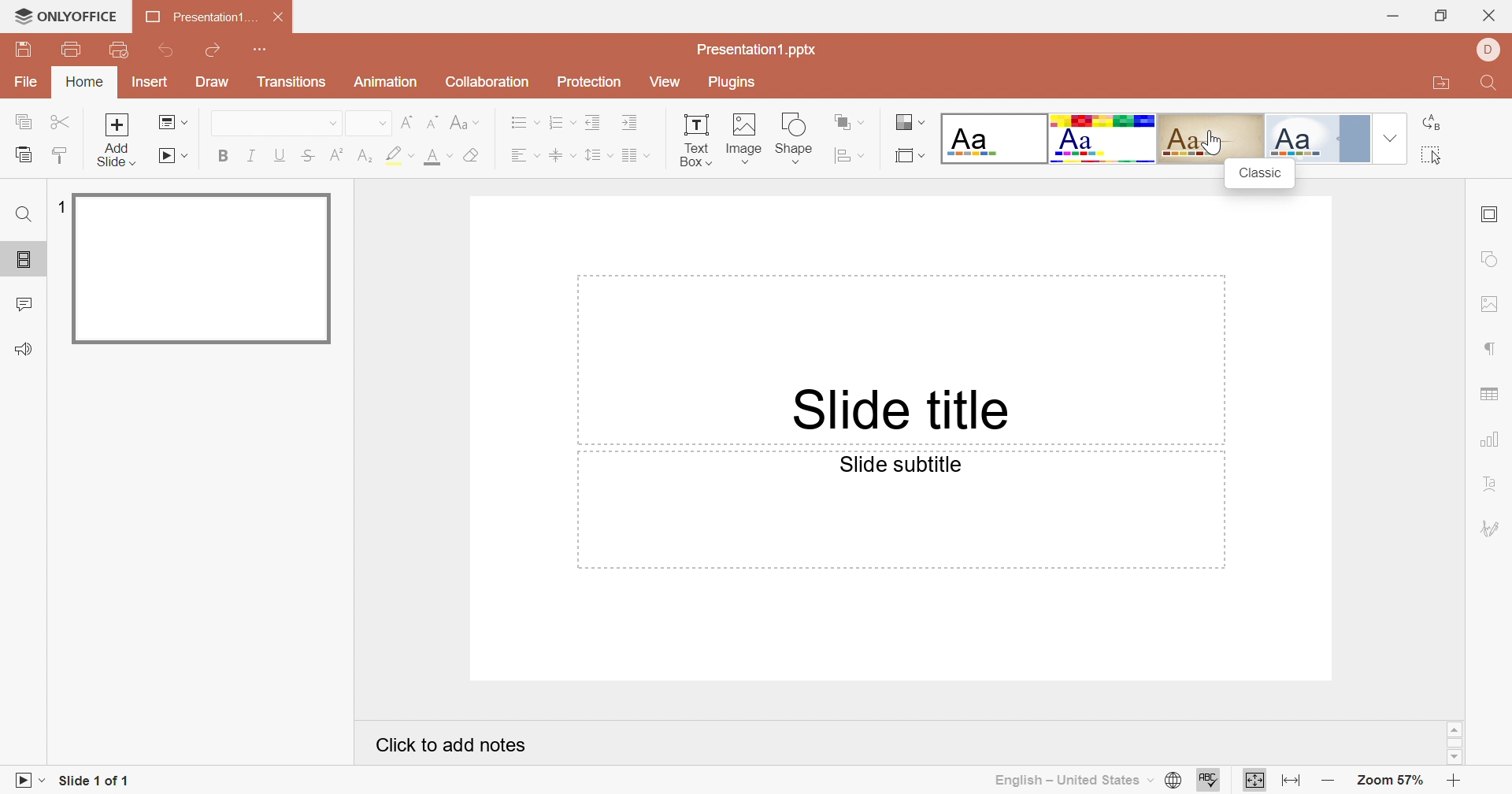  What do you see at coordinates (165, 48) in the screenshot?
I see `Undo` at bounding box center [165, 48].